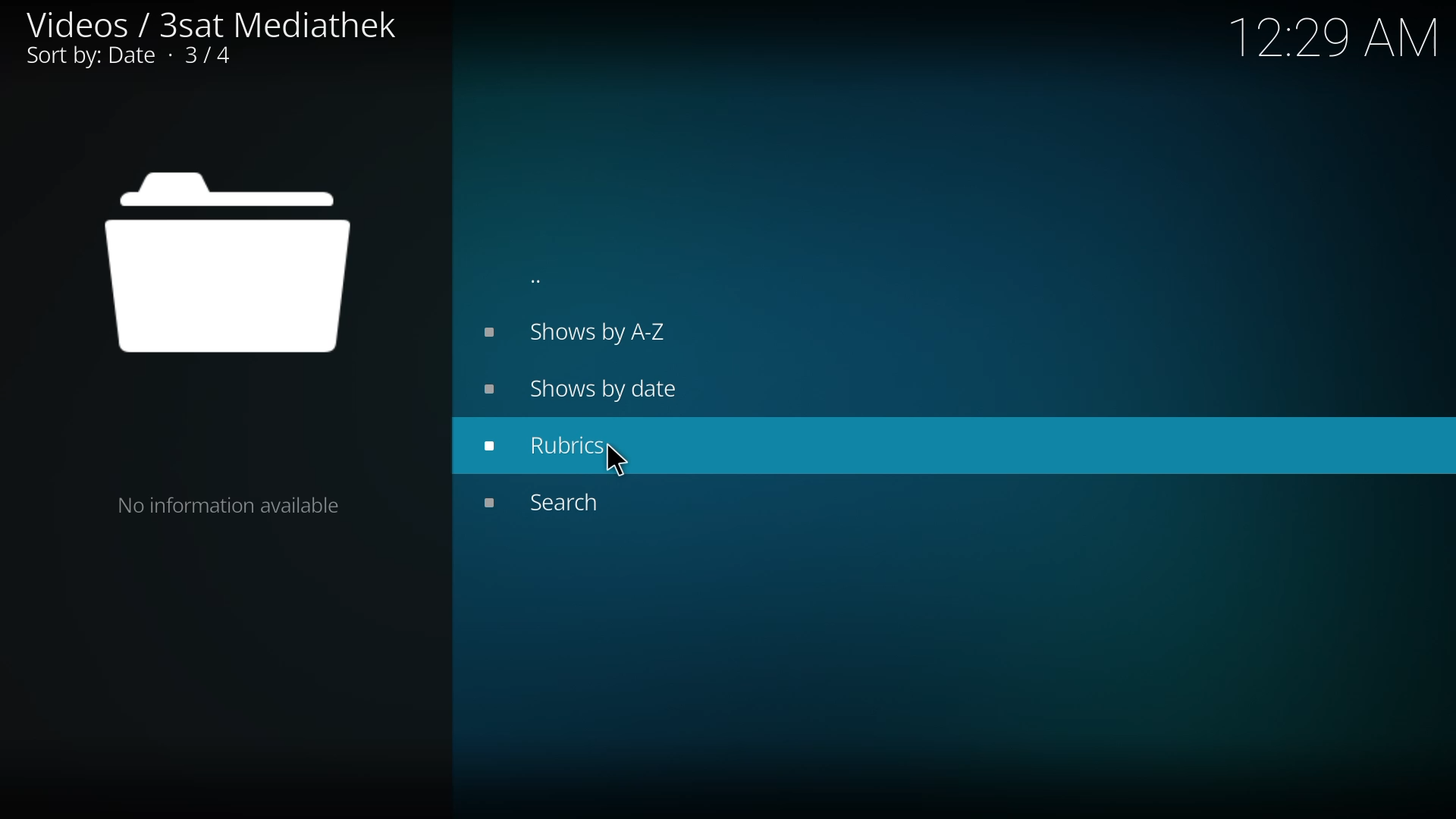 The image size is (1456, 819). Describe the element at coordinates (556, 501) in the screenshot. I see `search` at that location.